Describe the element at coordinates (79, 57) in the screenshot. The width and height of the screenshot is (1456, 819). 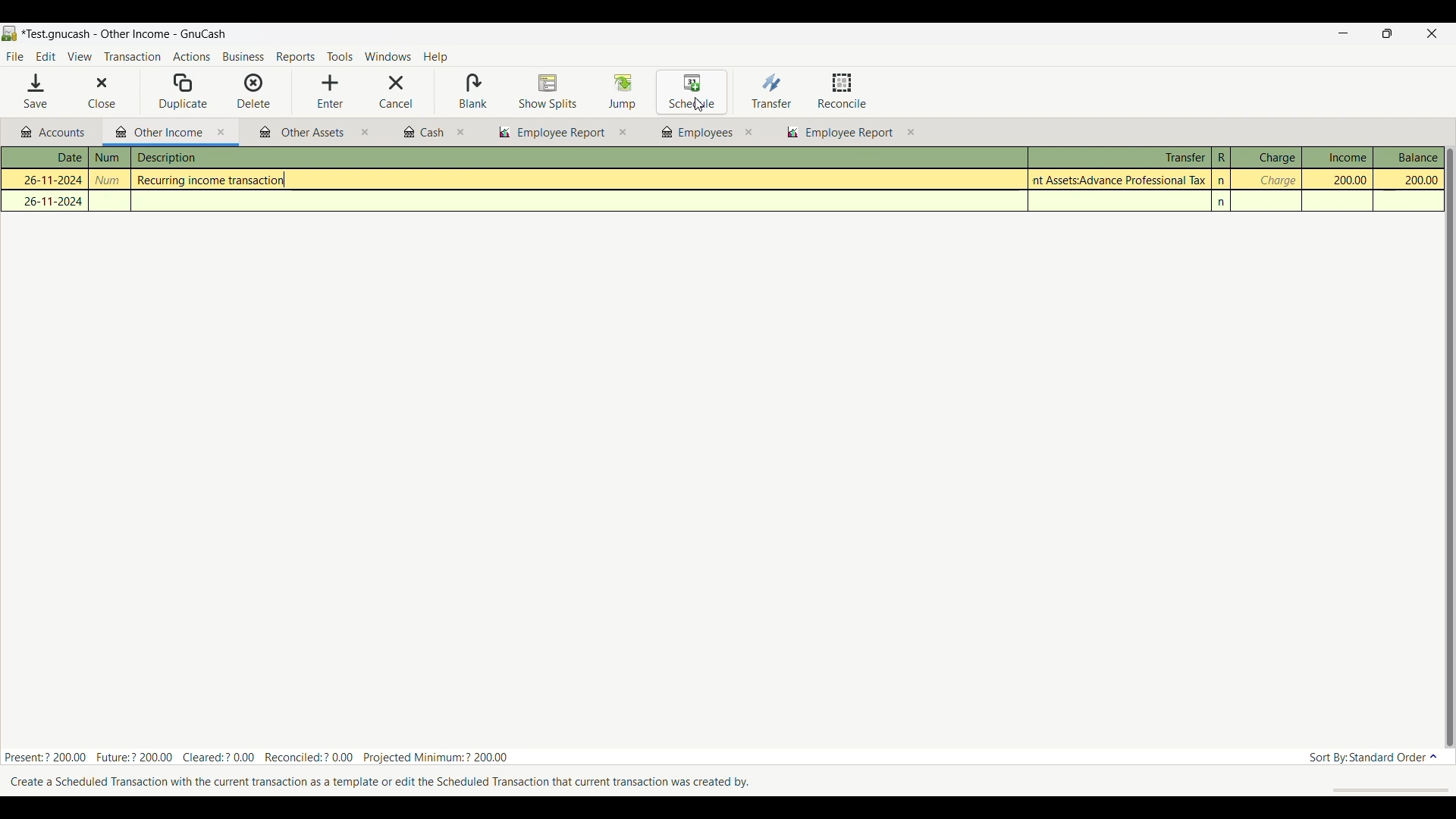
I see `View menu` at that location.